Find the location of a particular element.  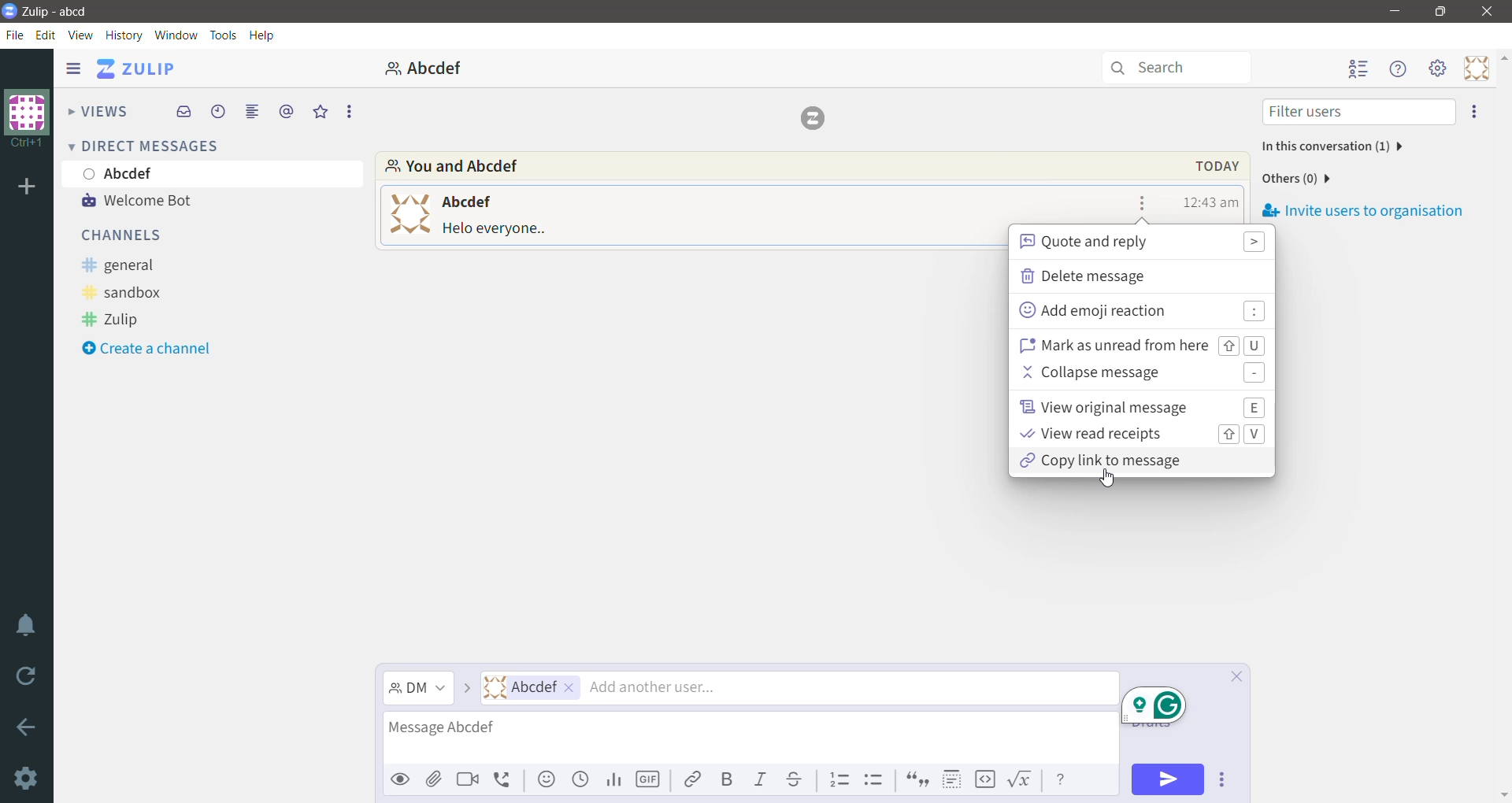

Vertical Scroll Bar is located at coordinates (1503, 426).